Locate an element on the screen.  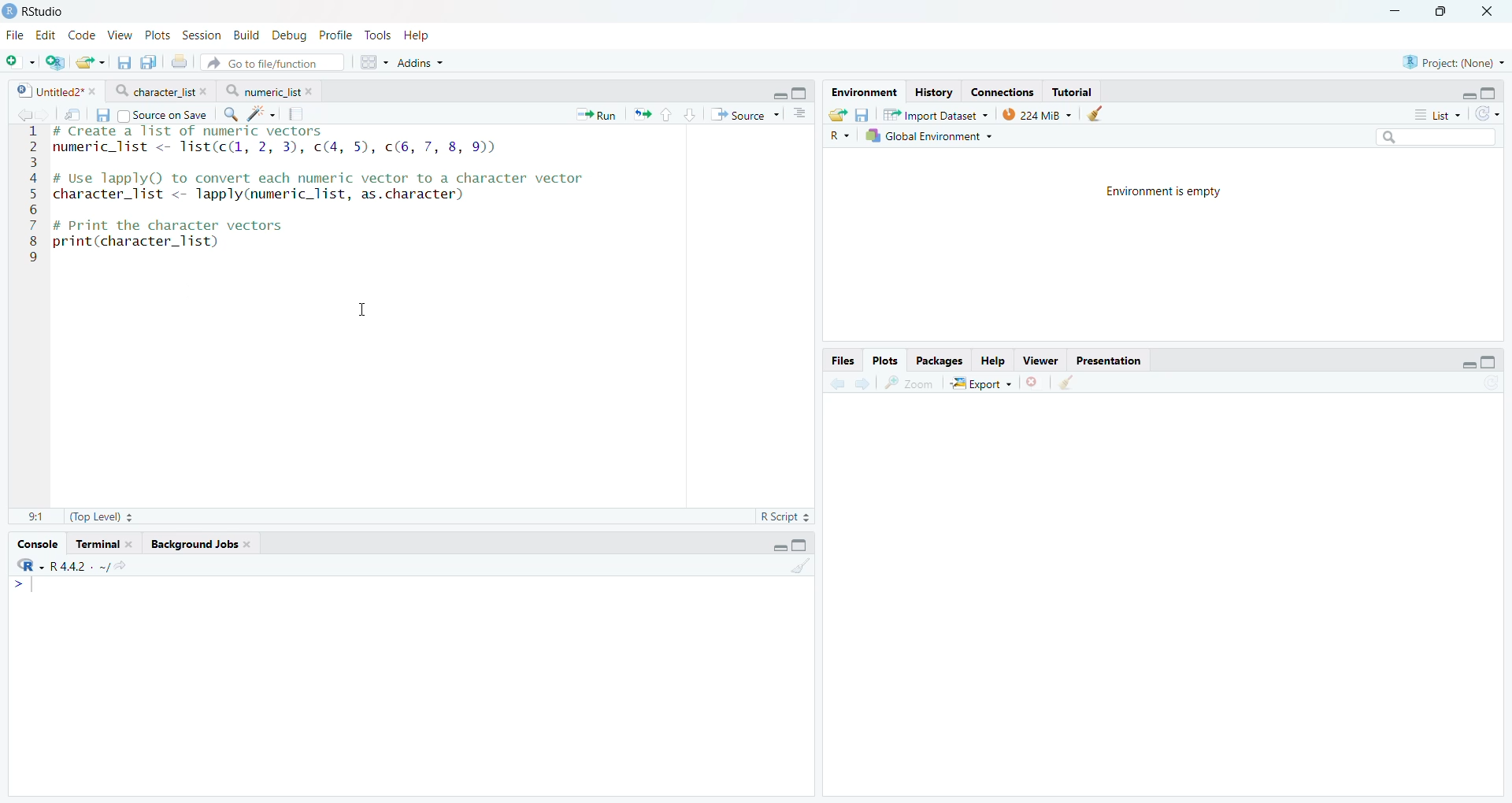
Open in new window is located at coordinates (71, 113).